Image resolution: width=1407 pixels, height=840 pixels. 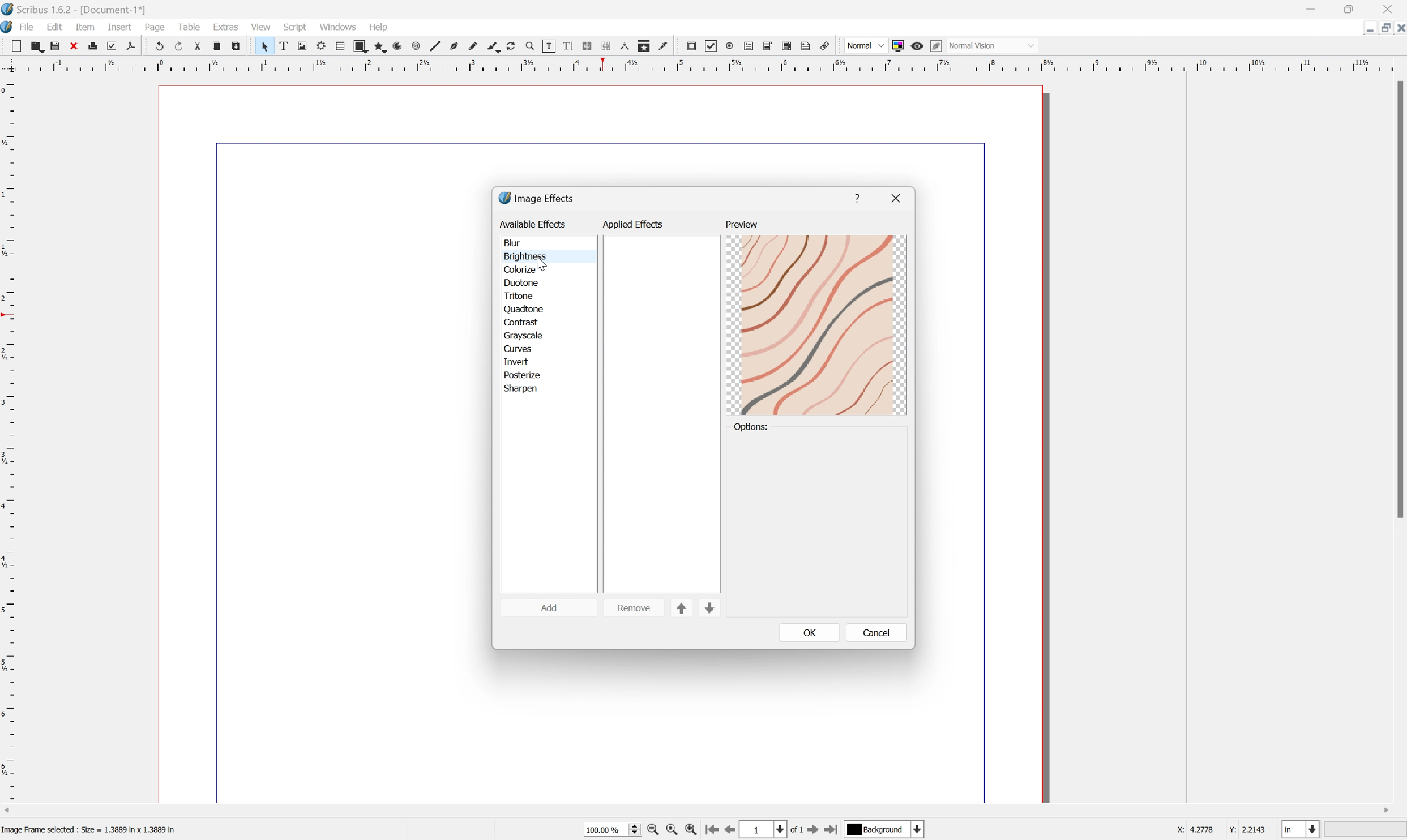 I want to click on Insert, so click(x=119, y=27).